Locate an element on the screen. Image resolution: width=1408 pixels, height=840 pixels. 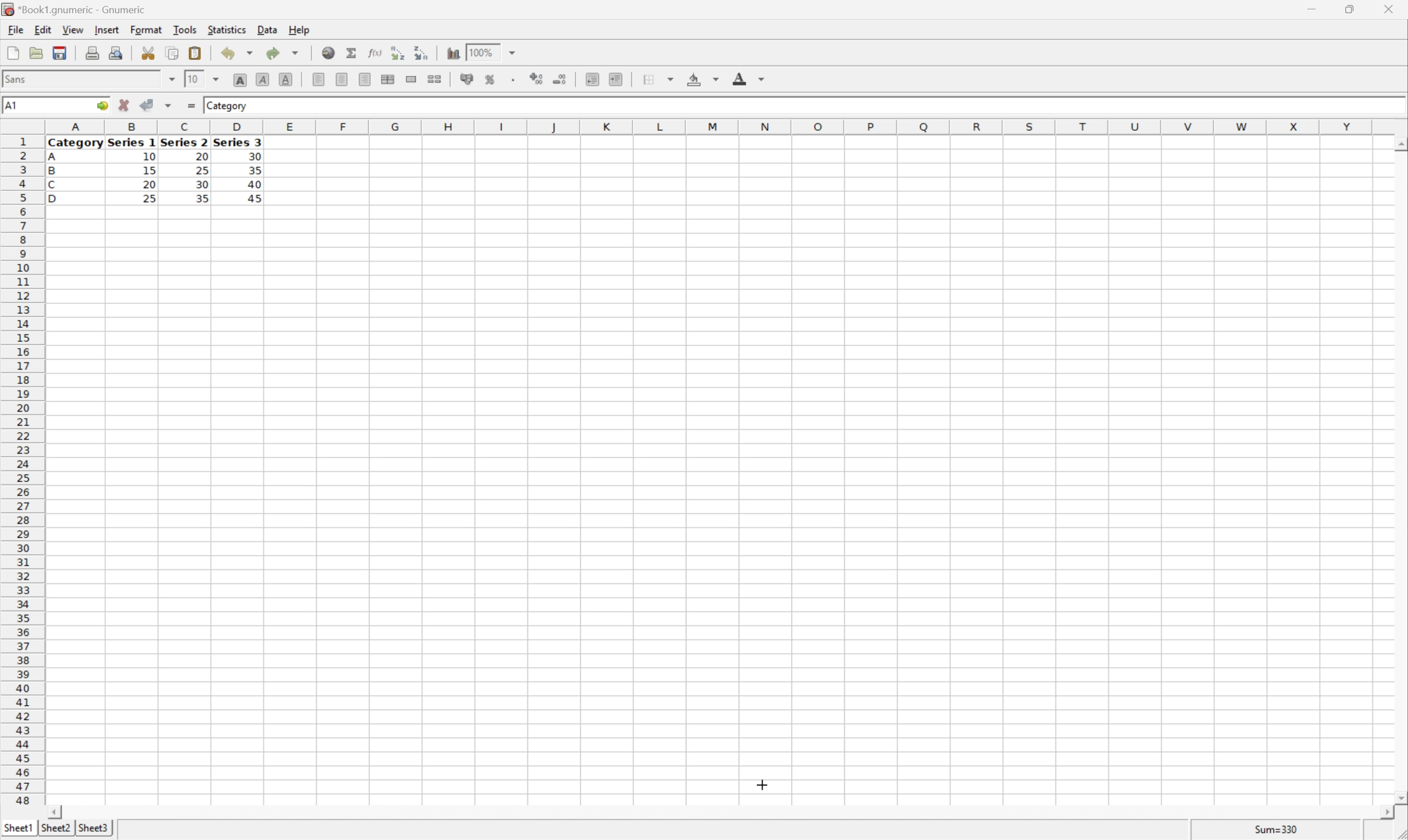
D is located at coordinates (58, 199).